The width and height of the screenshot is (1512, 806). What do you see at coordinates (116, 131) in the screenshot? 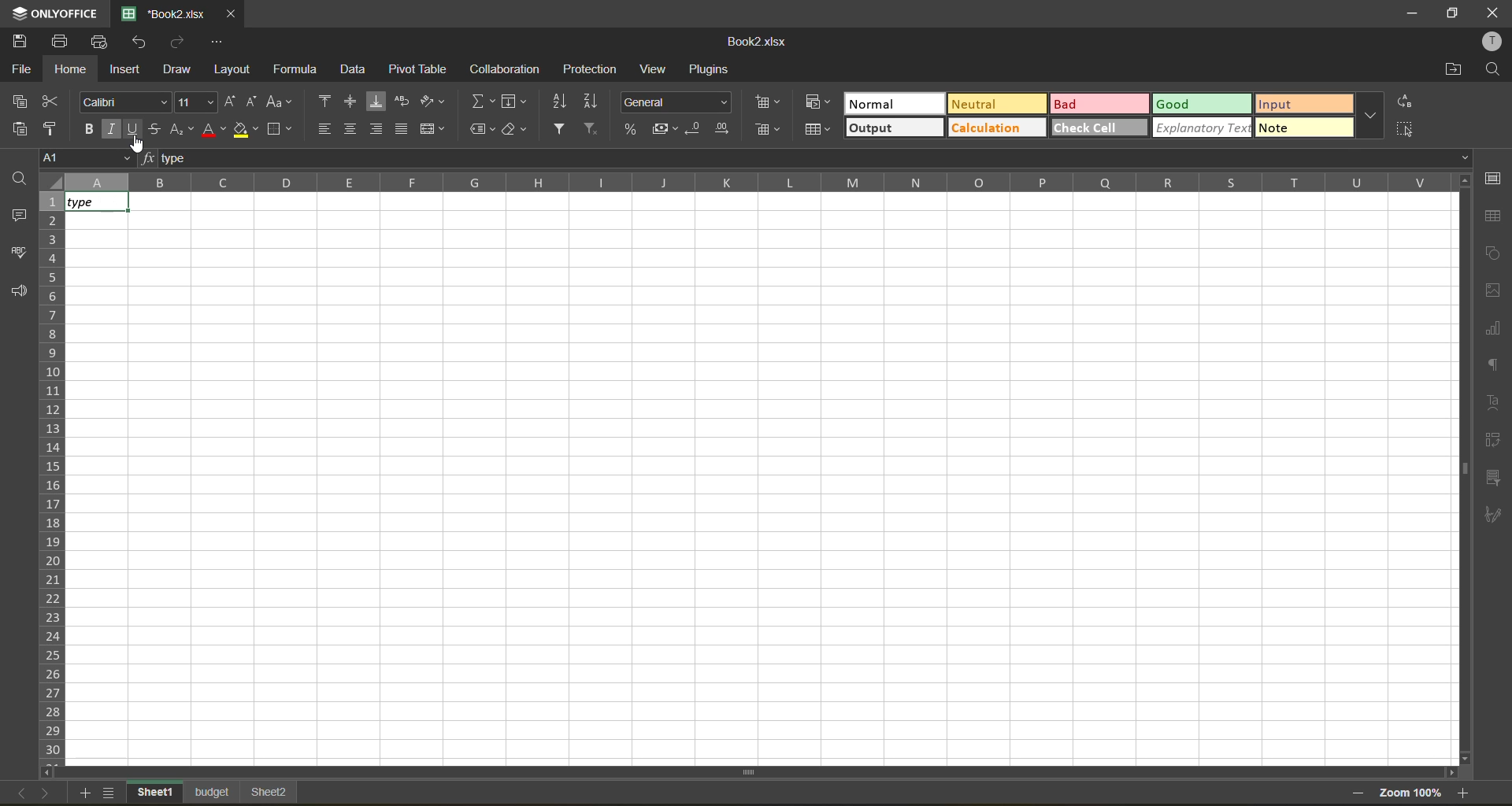
I see `italic` at bounding box center [116, 131].